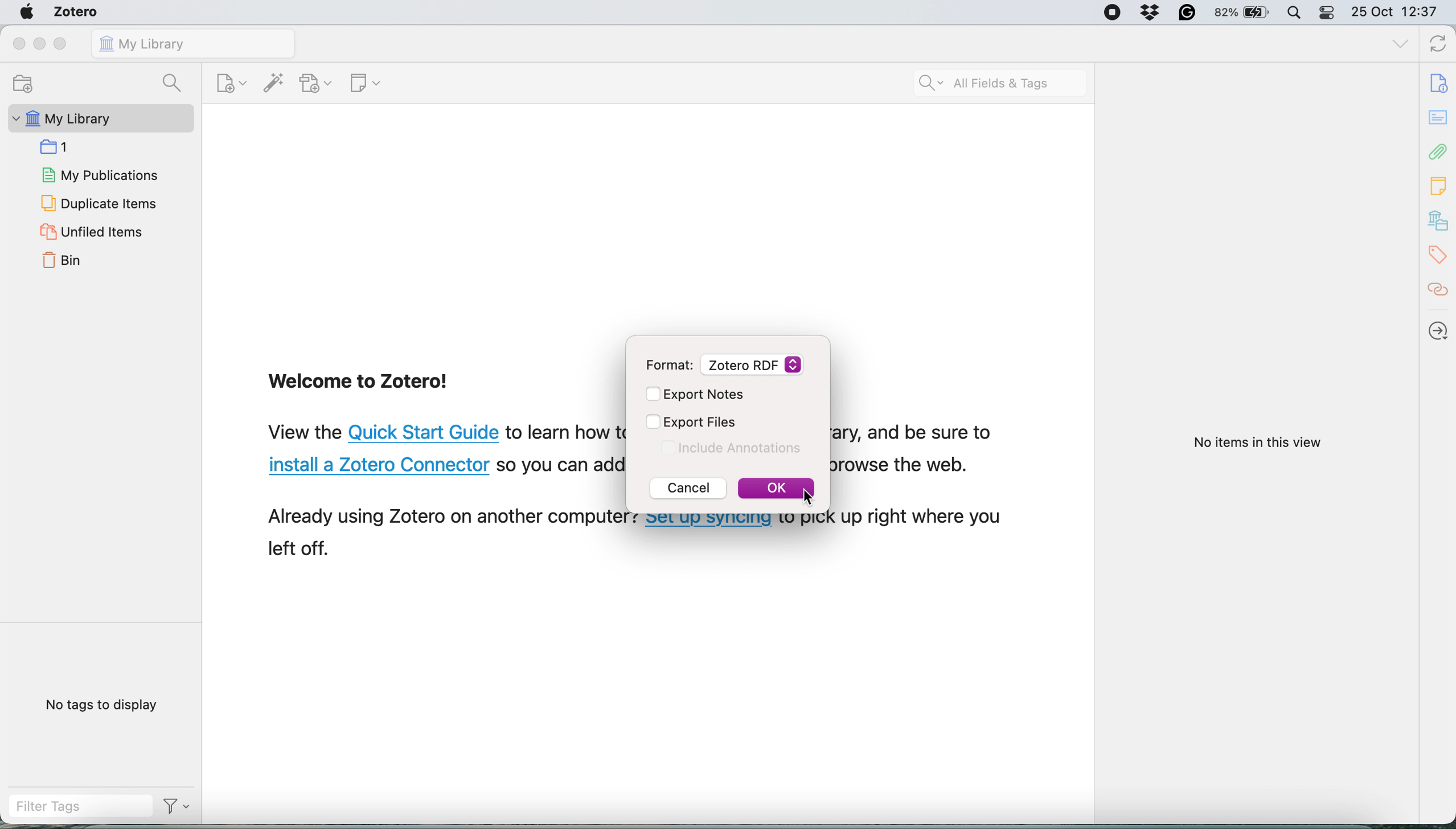 The height and width of the screenshot is (829, 1456). What do you see at coordinates (726, 393) in the screenshot?
I see `Export Notes` at bounding box center [726, 393].